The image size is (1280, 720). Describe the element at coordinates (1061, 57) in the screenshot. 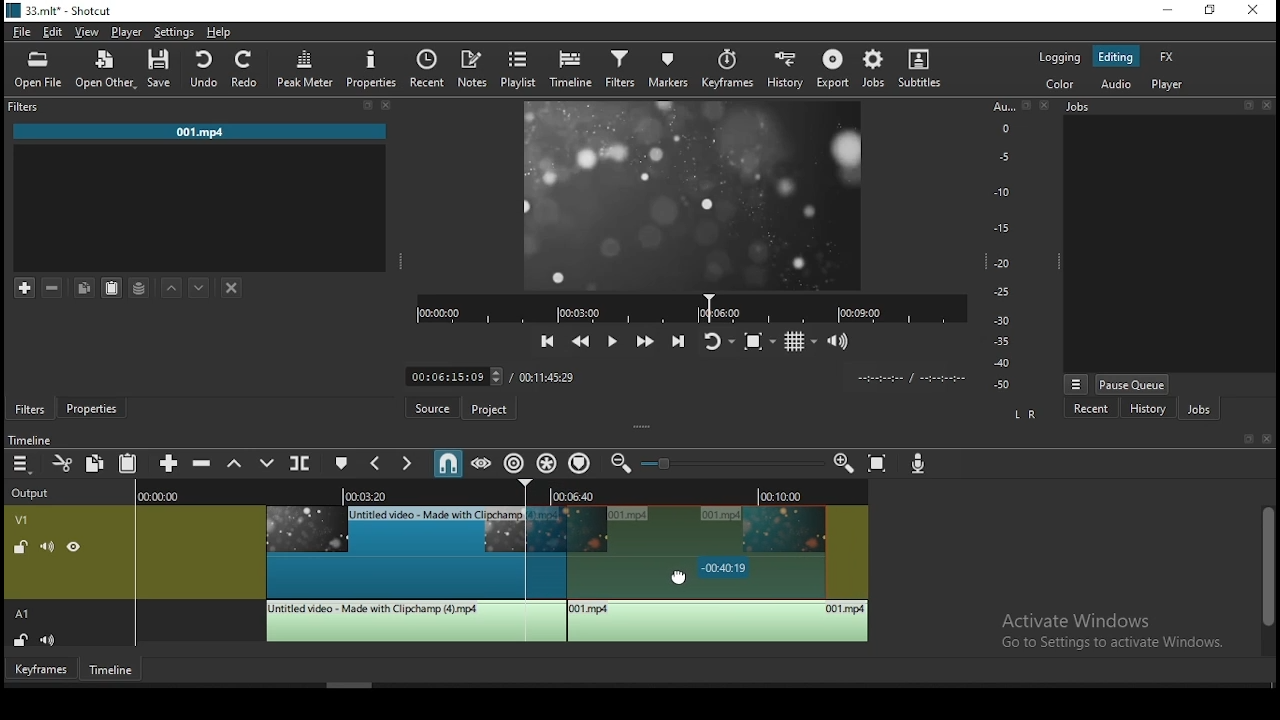

I see `logging` at that location.